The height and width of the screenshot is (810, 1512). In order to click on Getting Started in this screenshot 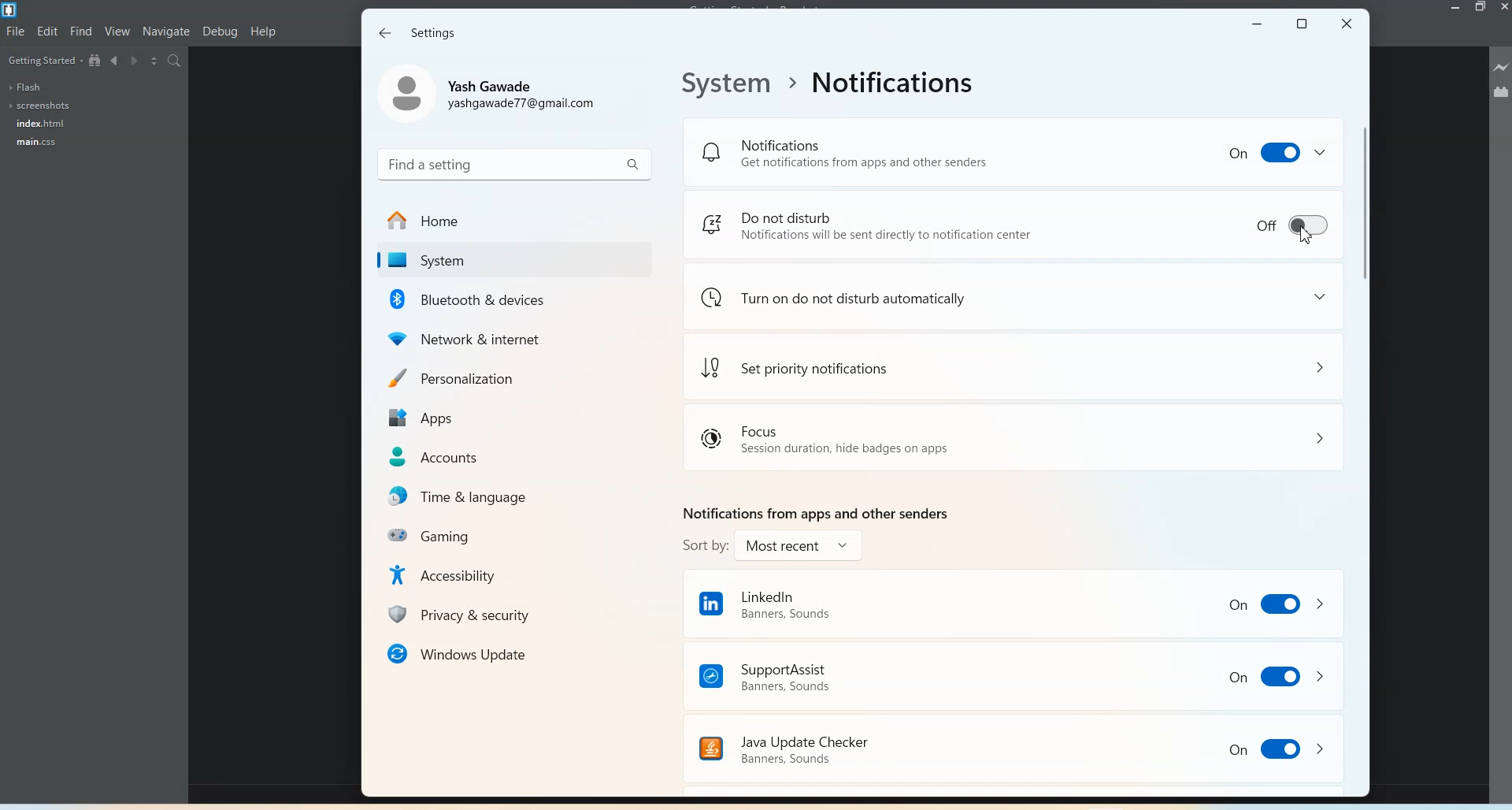, I will do `click(45, 61)`.